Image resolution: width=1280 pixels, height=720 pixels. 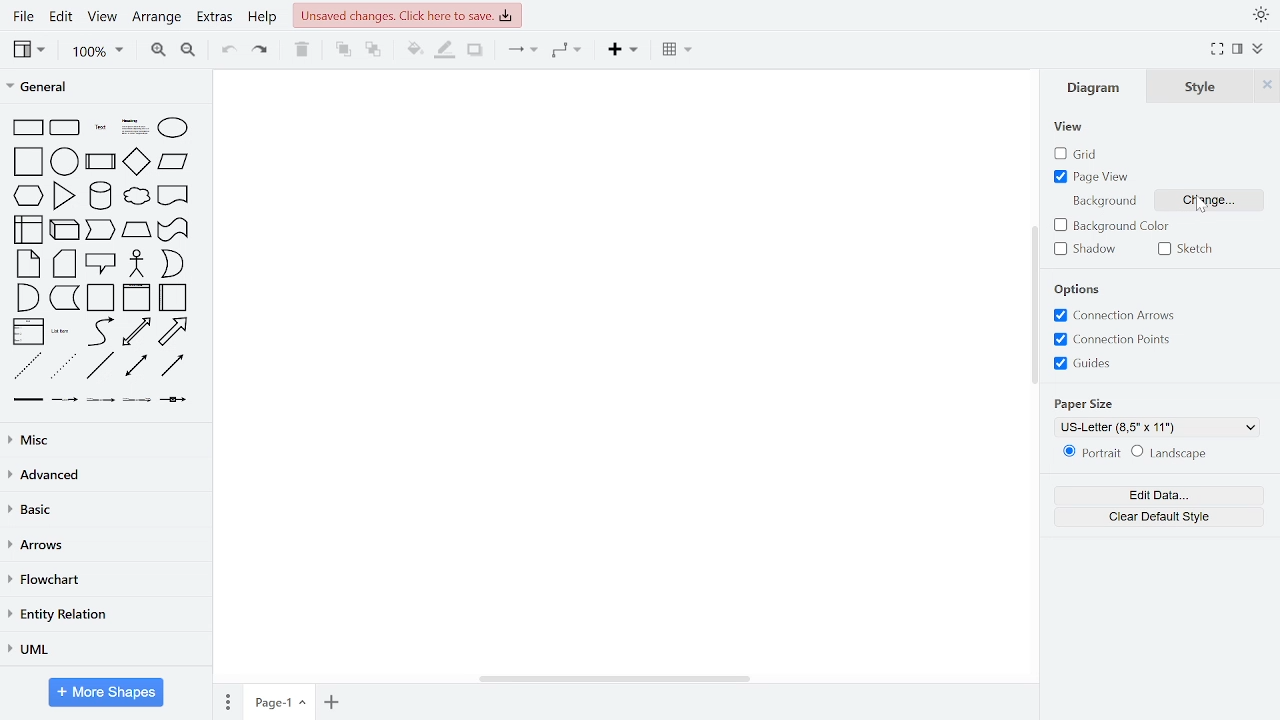 What do you see at coordinates (278, 702) in the screenshot?
I see `current page` at bounding box center [278, 702].